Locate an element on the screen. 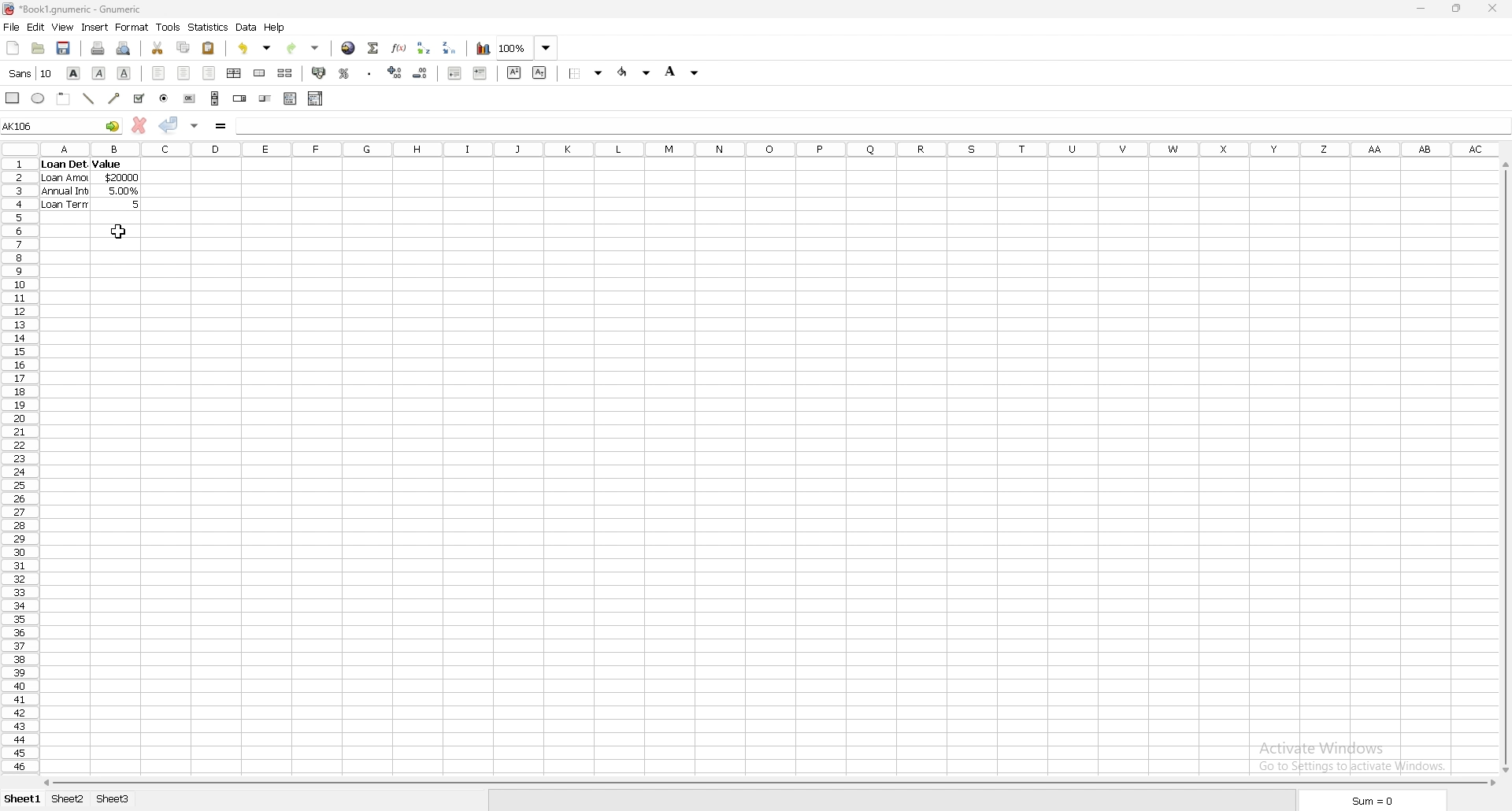 The width and height of the screenshot is (1512, 811). radio button is located at coordinates (165, 98).